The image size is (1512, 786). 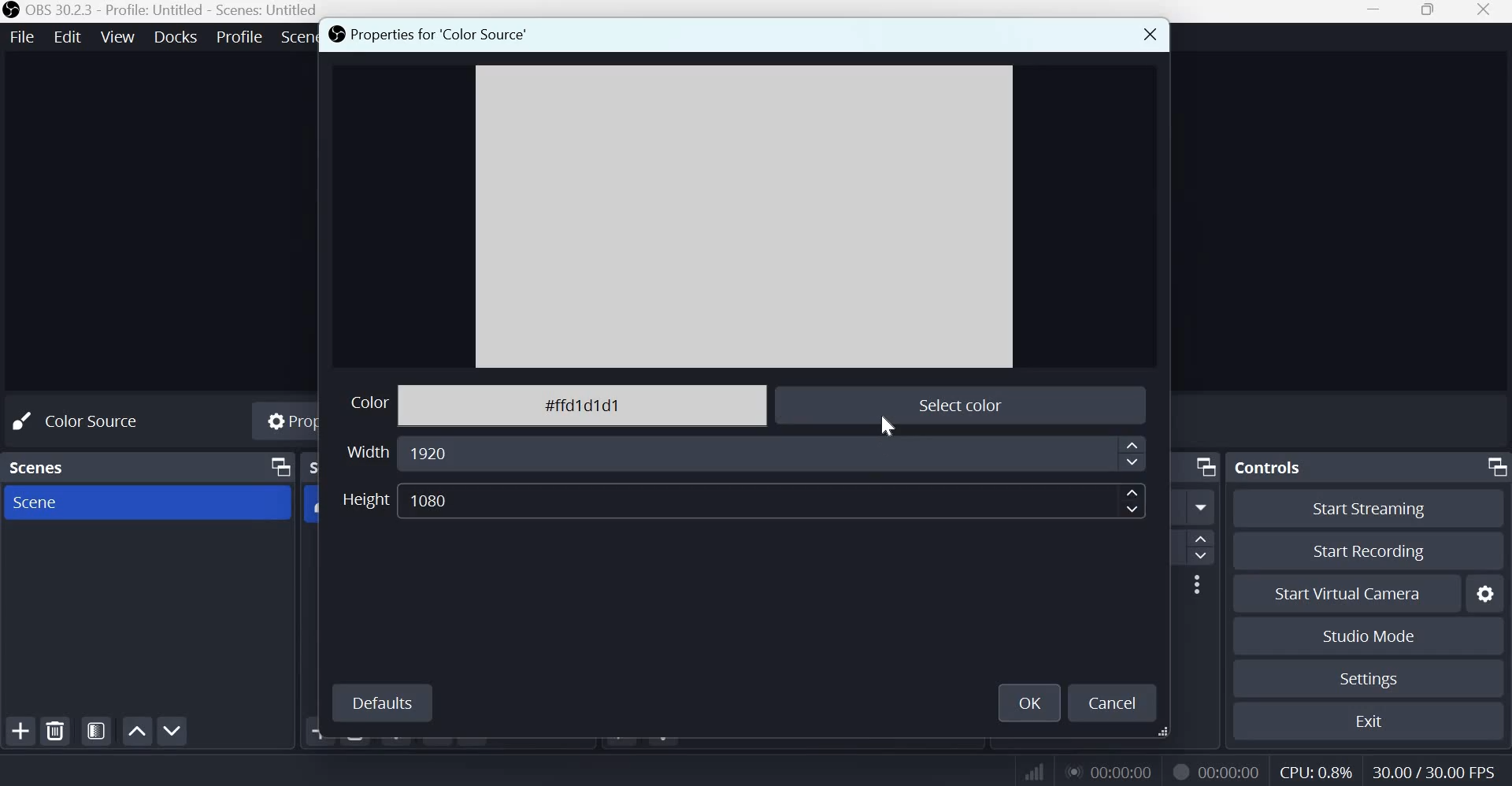 I want to click on Close, so click(x=1485, y=11).